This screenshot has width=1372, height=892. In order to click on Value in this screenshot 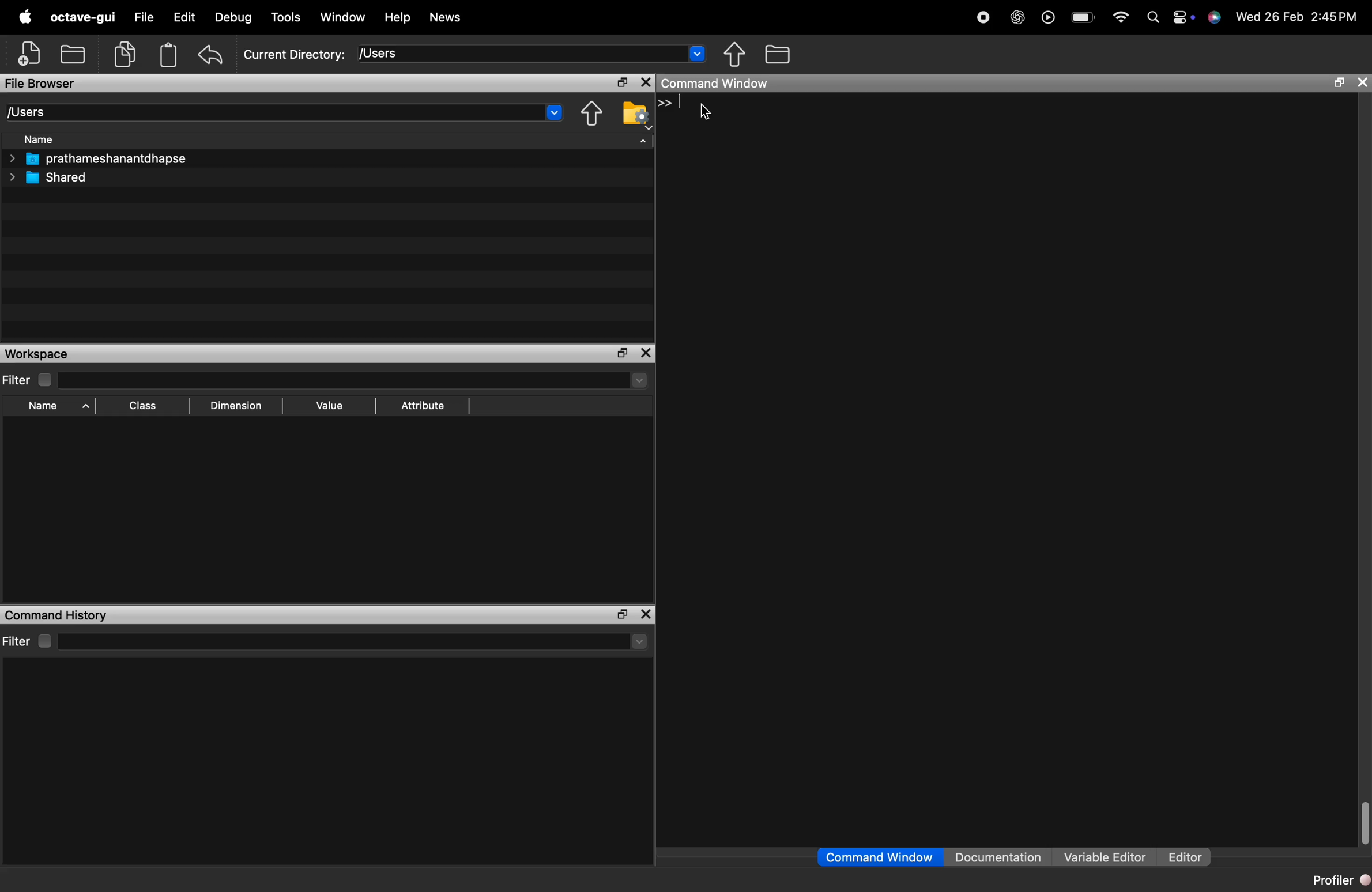, I will do `click(332, 404)`.